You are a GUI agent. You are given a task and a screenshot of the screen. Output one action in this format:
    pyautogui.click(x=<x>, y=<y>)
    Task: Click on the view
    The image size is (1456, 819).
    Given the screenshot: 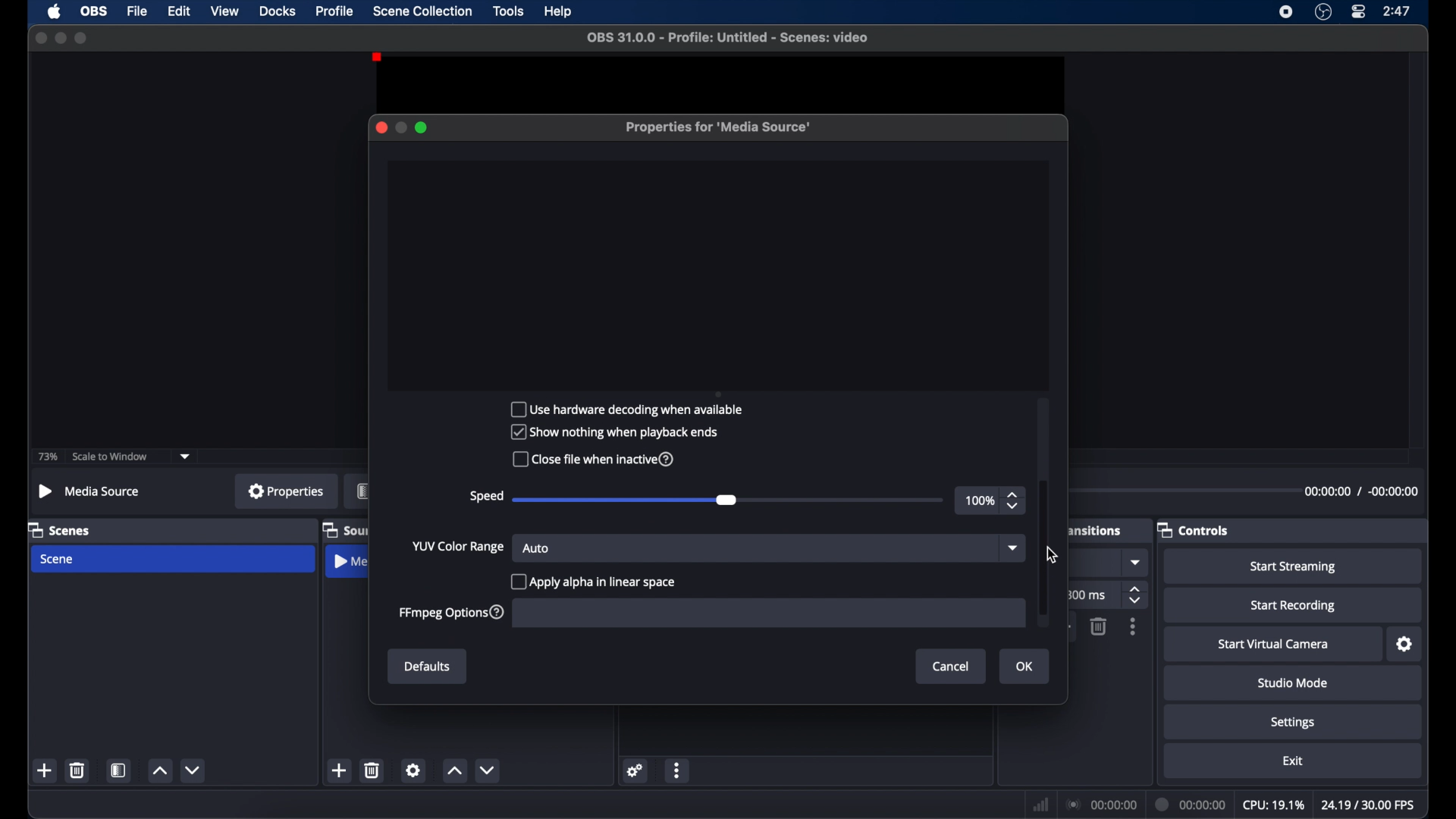 What is the action you would take?
    pyautogui.click(x=226, y=11)
    